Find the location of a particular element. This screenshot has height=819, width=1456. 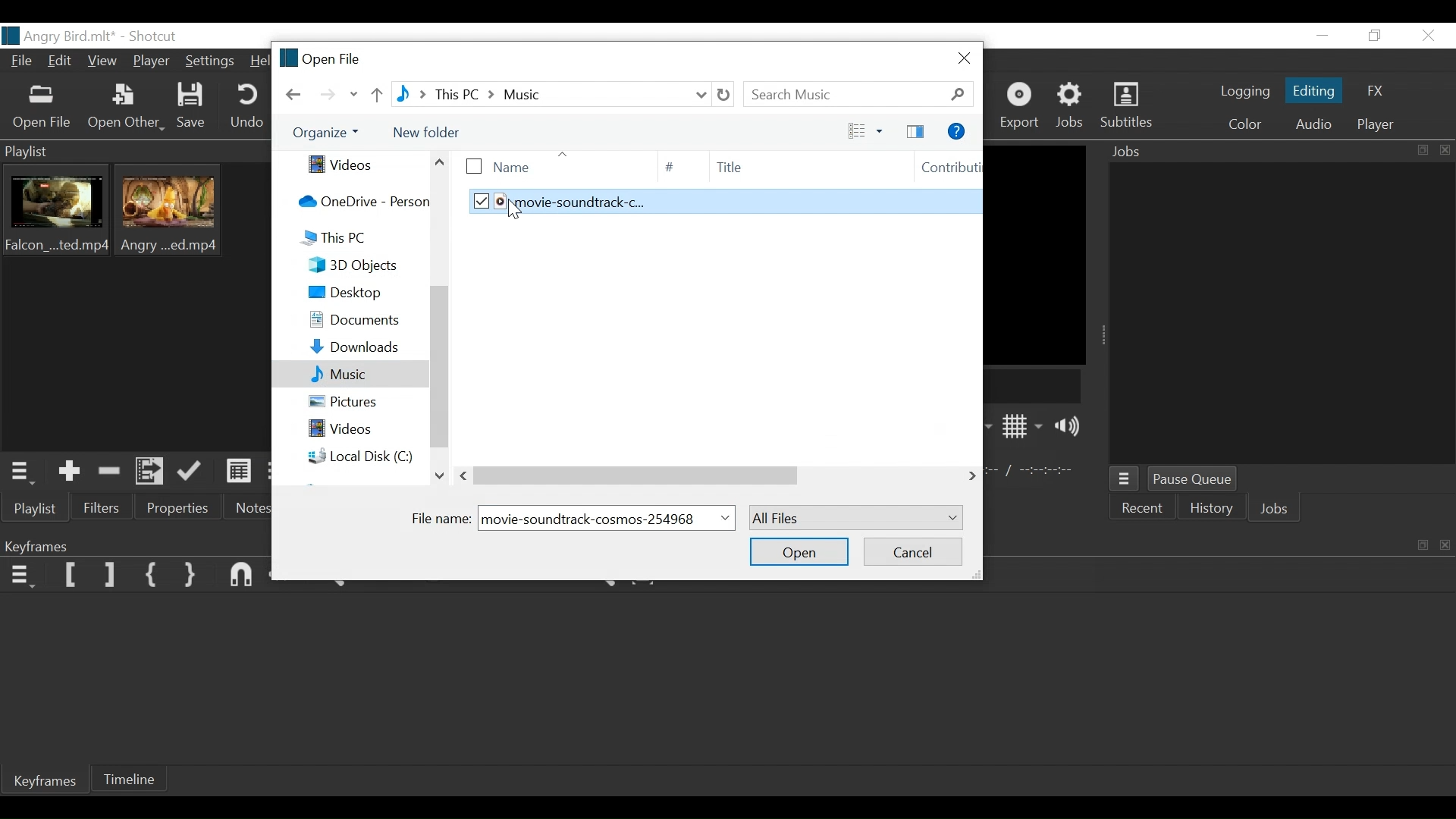

Refresh is located at coordinates (726, 94).